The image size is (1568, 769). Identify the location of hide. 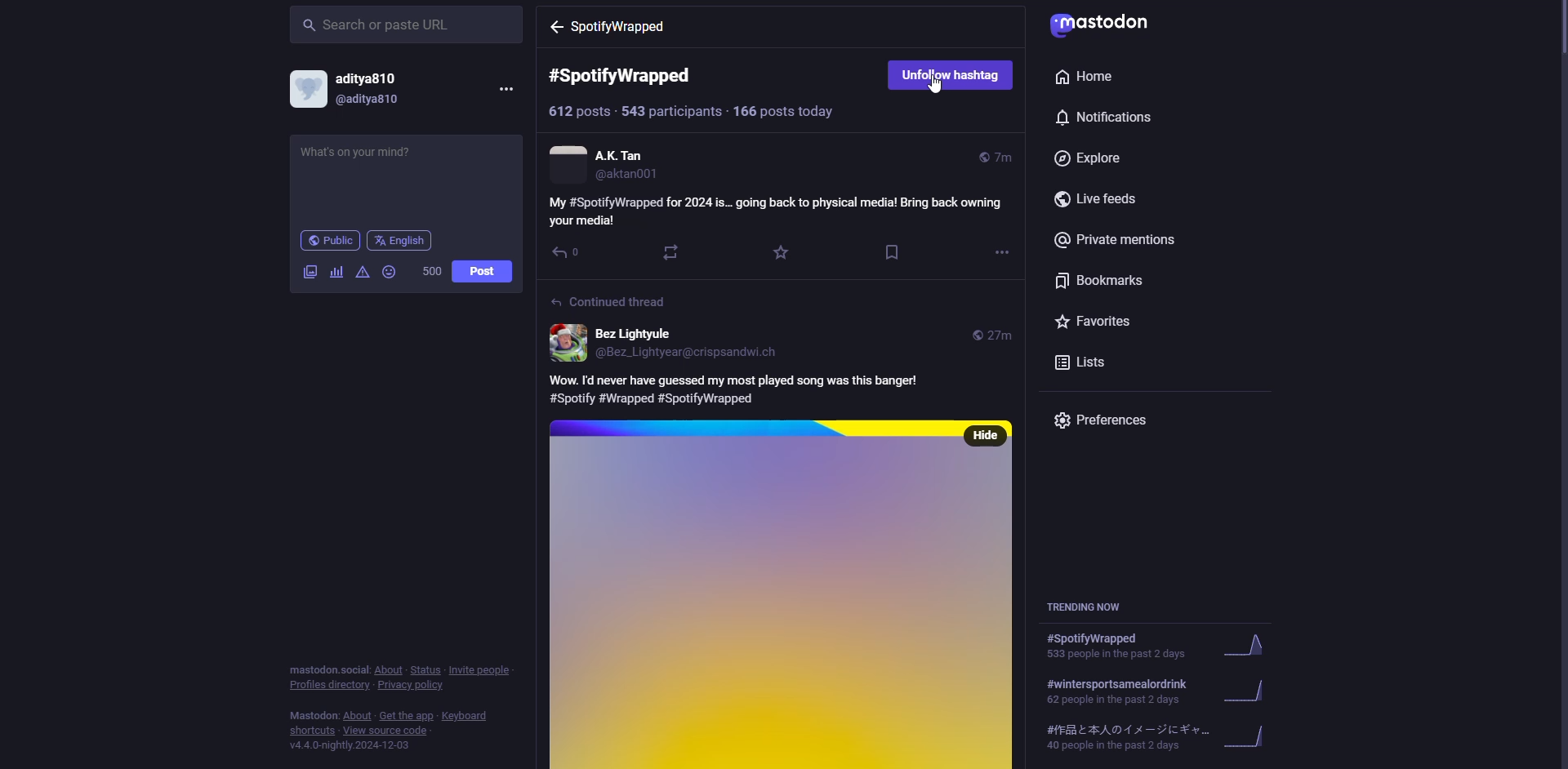
(986, 435).